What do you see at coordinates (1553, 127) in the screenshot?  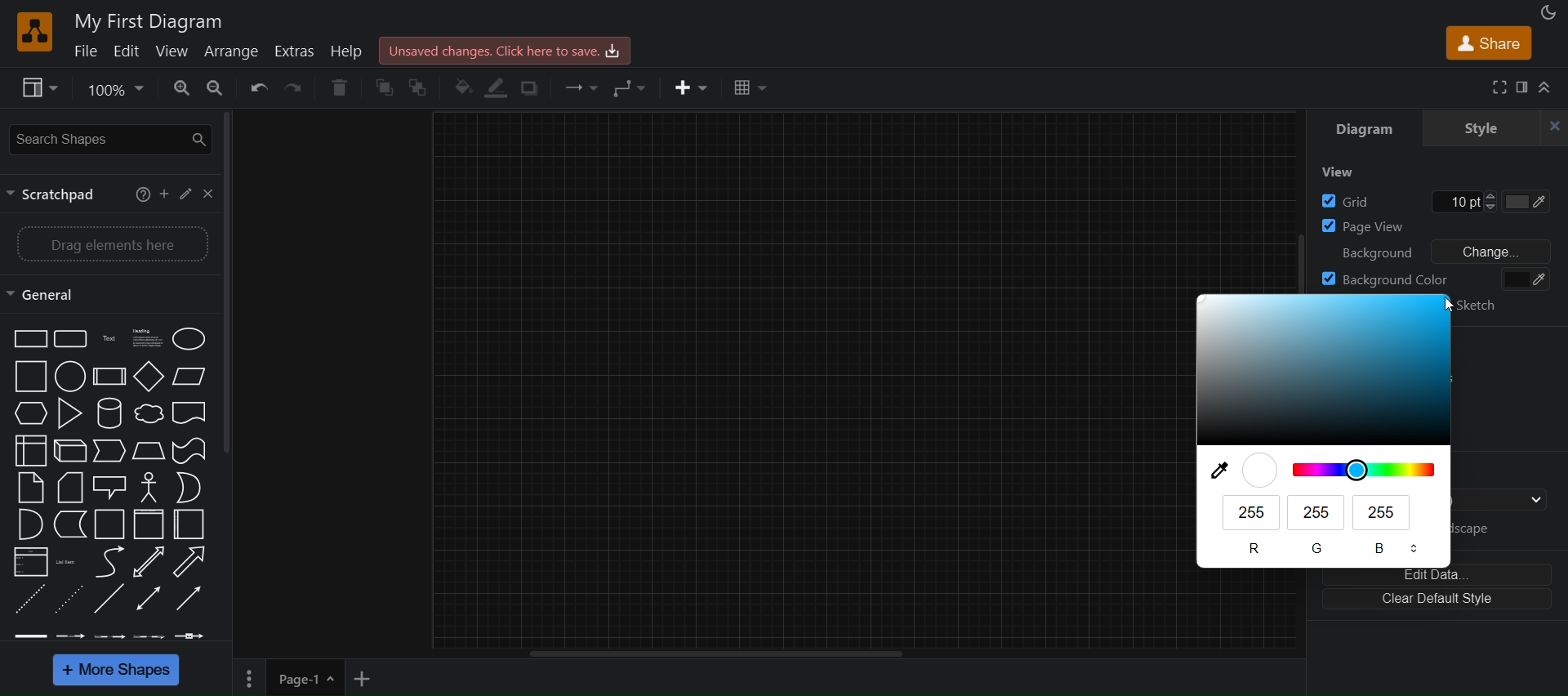 I see `close` at bounding box center [1553, 127].